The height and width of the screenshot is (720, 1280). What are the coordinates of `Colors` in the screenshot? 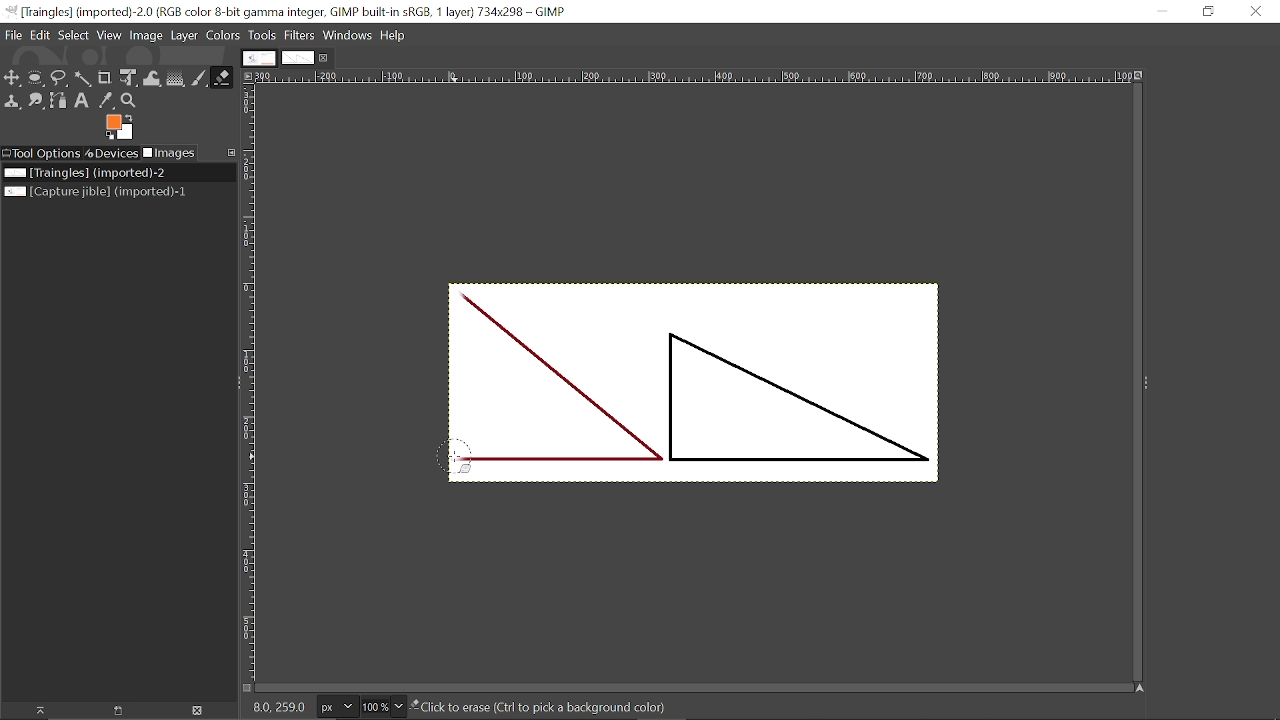 It's located at (222, 35).